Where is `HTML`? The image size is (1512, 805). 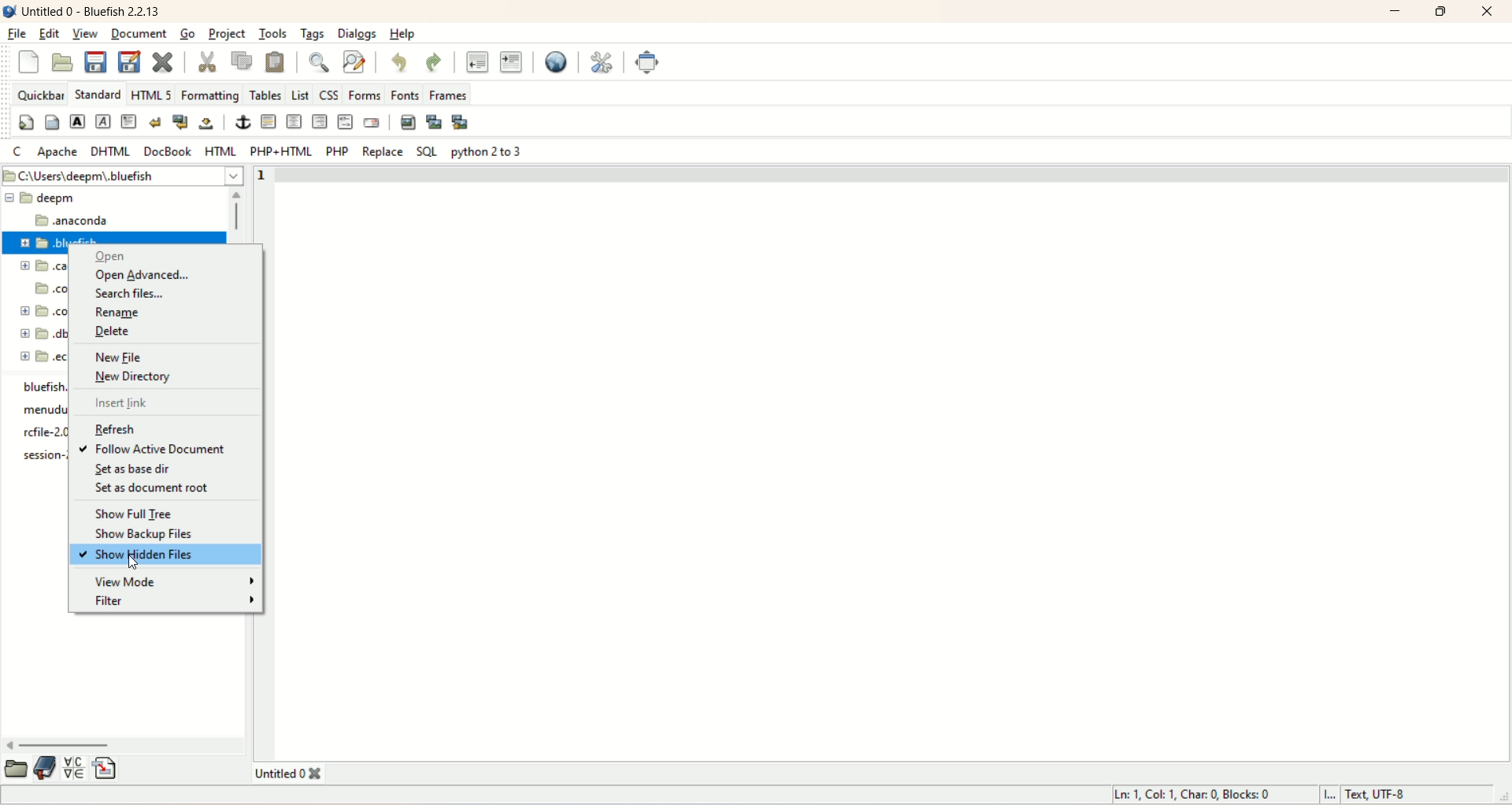 HTML is located at coordinates (220, 151).